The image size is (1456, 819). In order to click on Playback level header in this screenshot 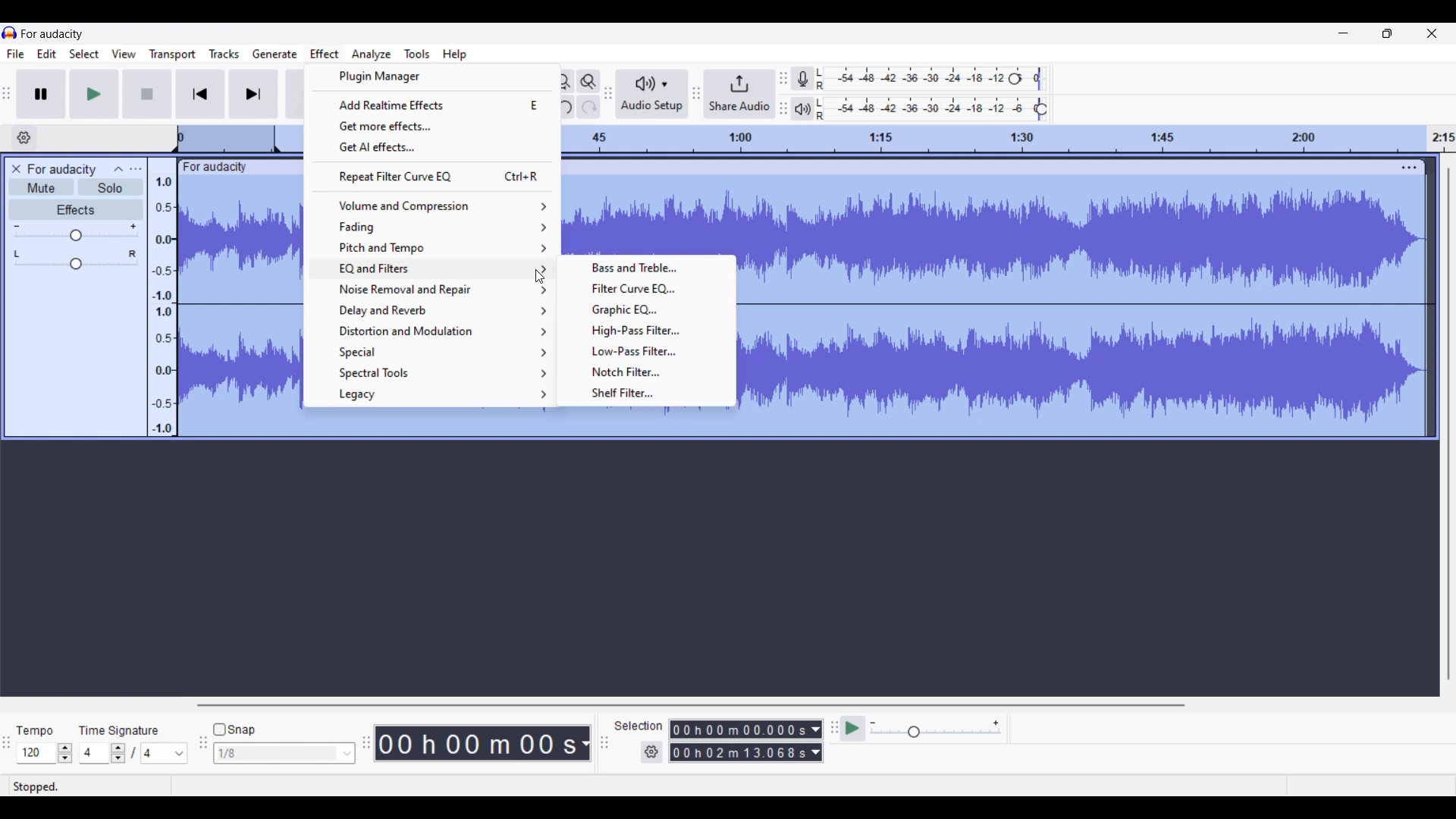, I will do `click(1042, 109)`.